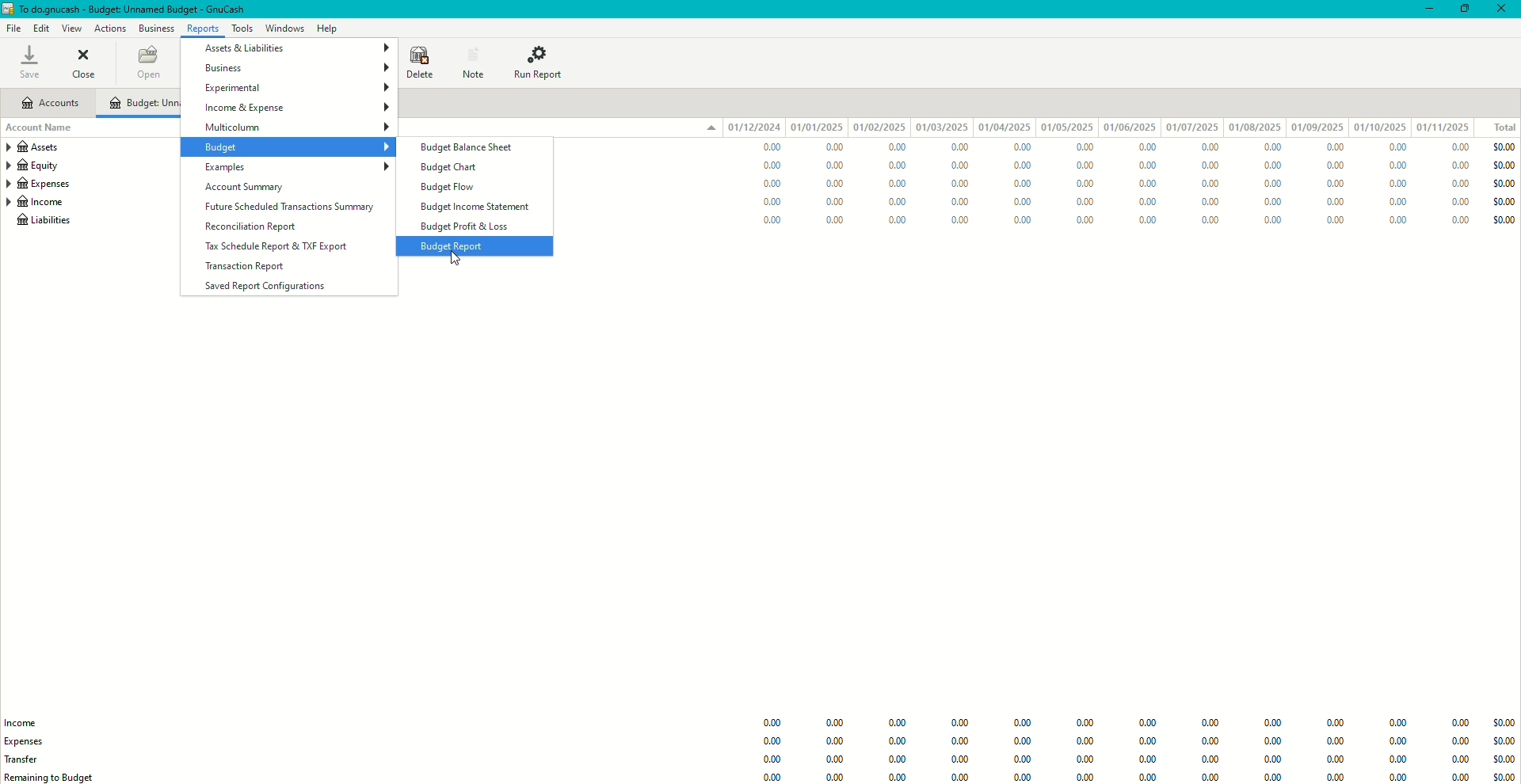 The height and width of the screenshot is (784, 1521). I want to click on Liabilities, so click(43, 223).